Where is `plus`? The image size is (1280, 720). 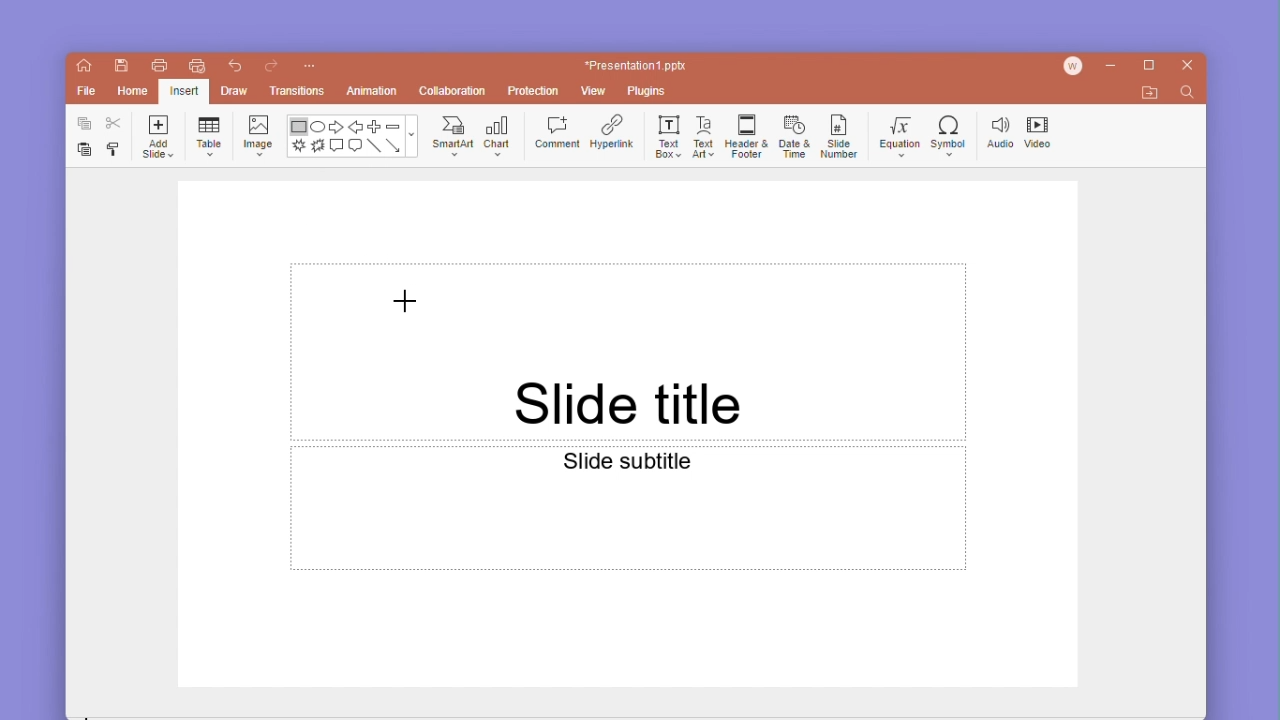
plus is located at coordinates (373, 126).